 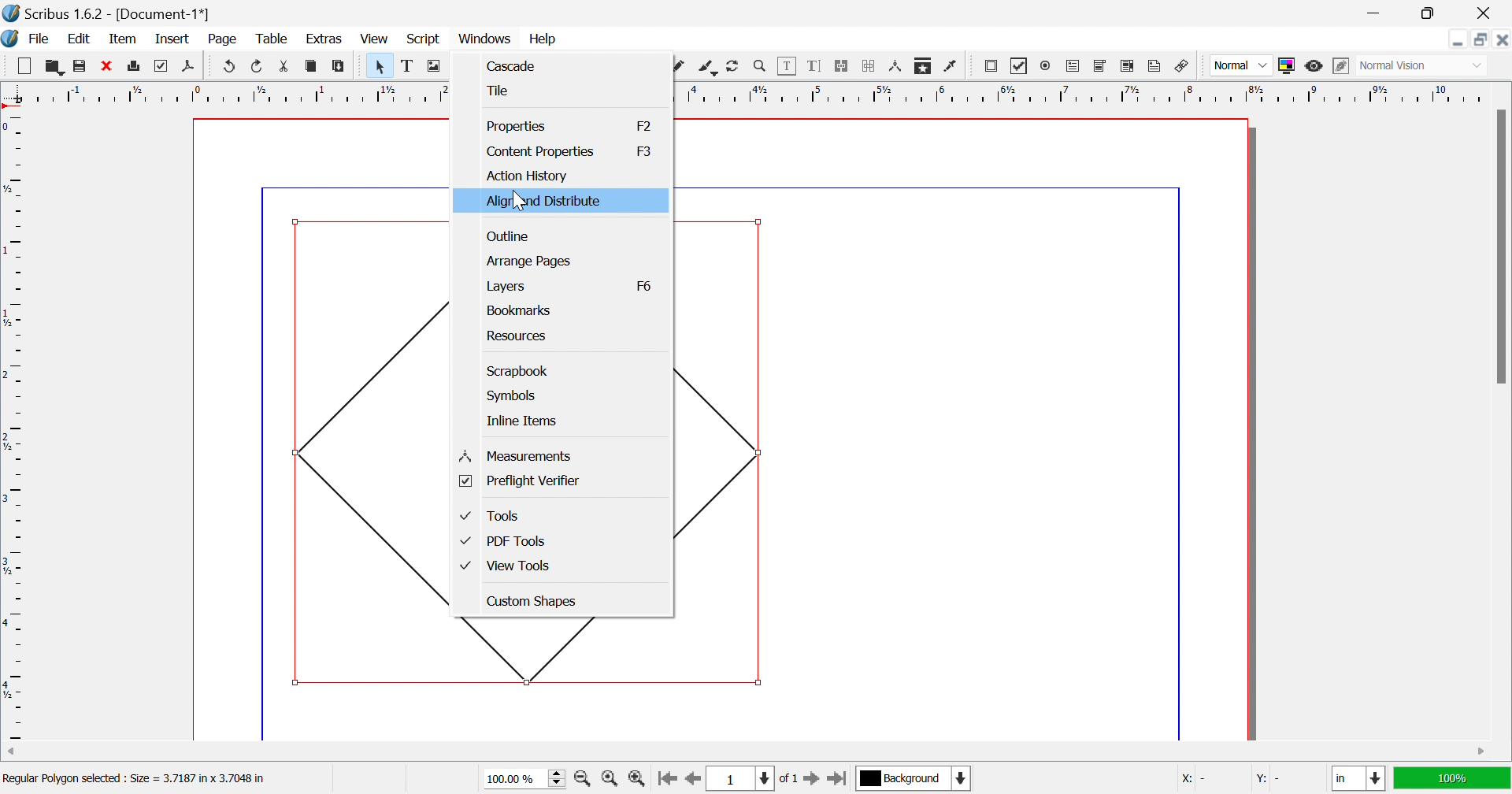 I want to click on x: -, so click(x=1194, y=781).